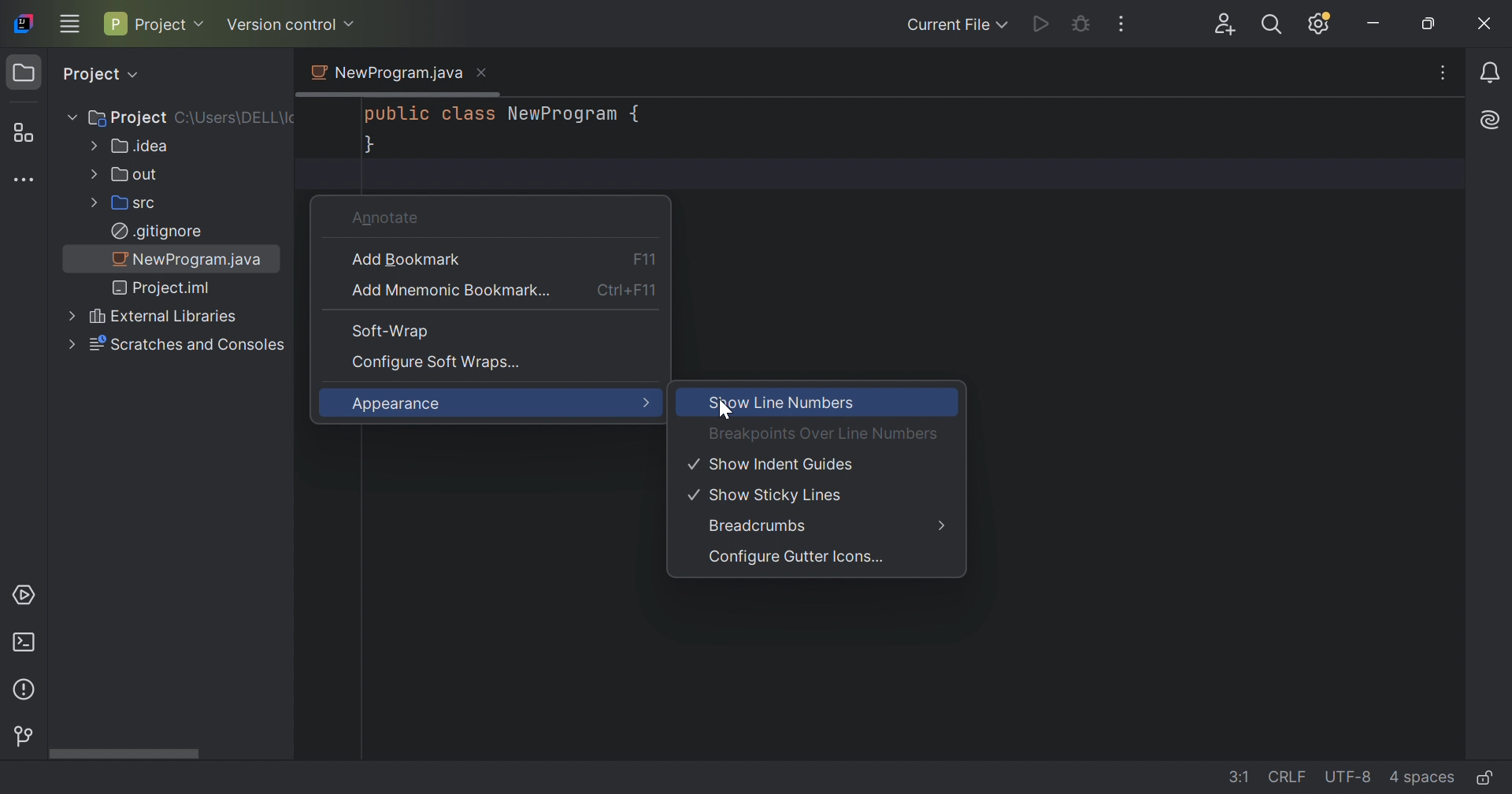 The width and height of the screenshot is (1512, 794). What do you see at coordinates (140, 146) in the screenshot?
I see `Idea` at bounding box center [140, 146].